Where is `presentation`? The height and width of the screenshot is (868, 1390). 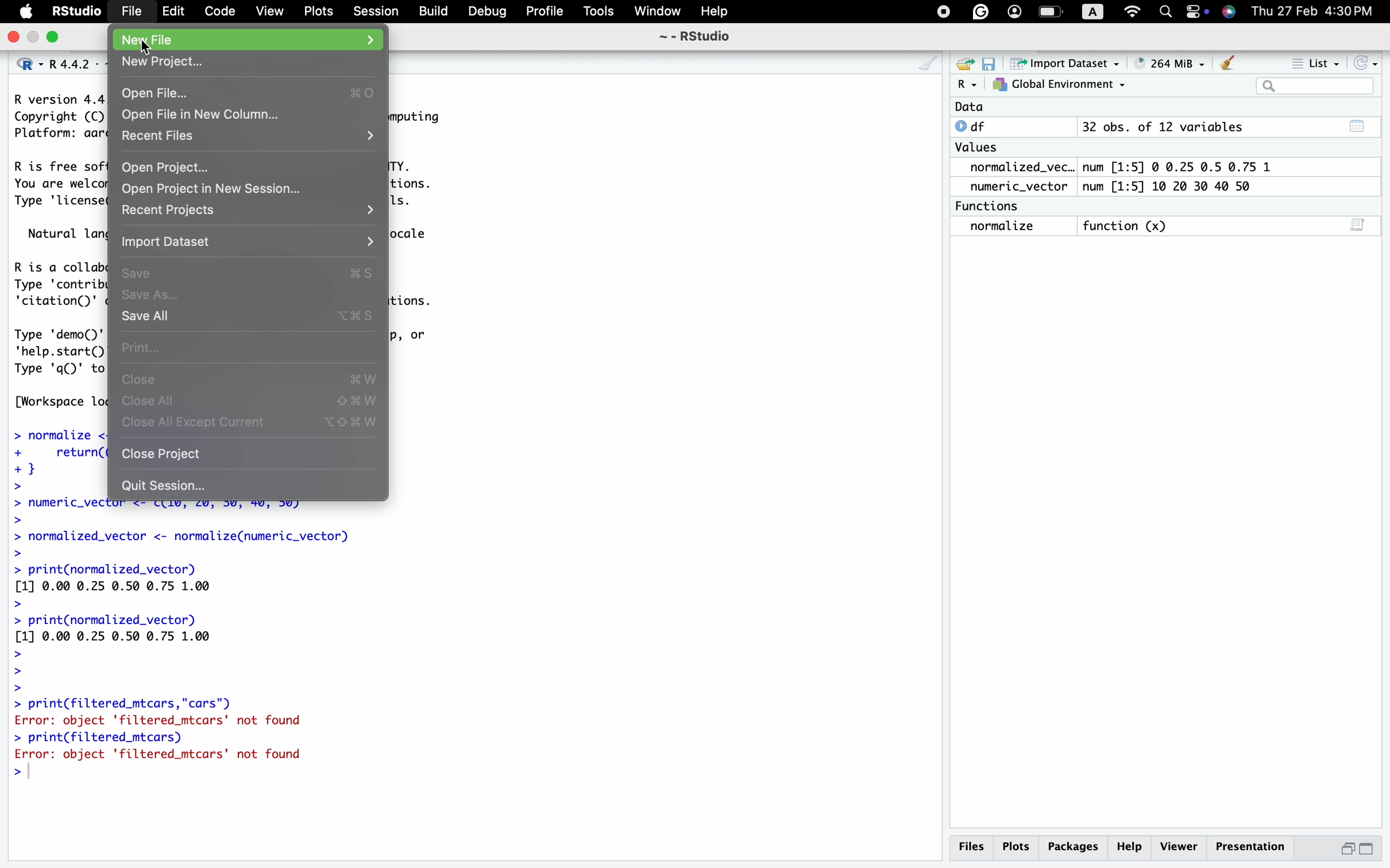
presentation is located at coordinates (1249, 847).